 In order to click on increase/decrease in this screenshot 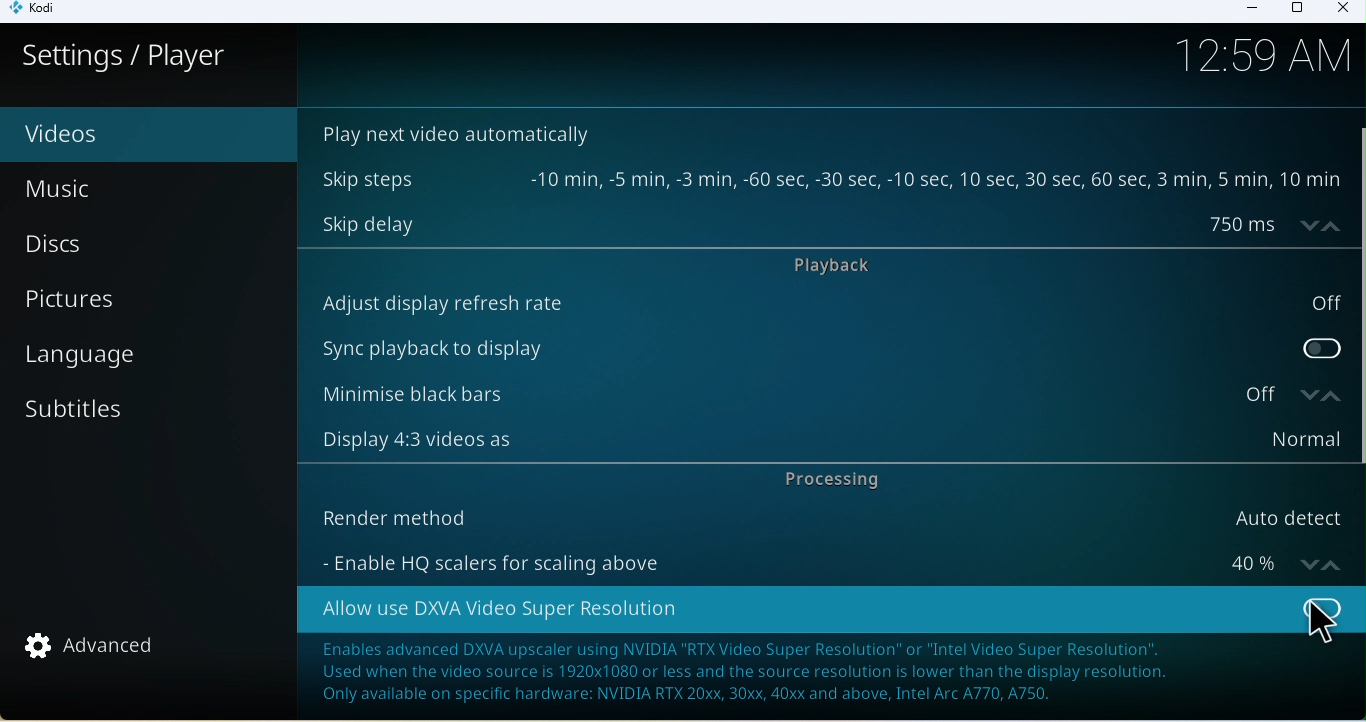, I will do `click(1315, 226)`.